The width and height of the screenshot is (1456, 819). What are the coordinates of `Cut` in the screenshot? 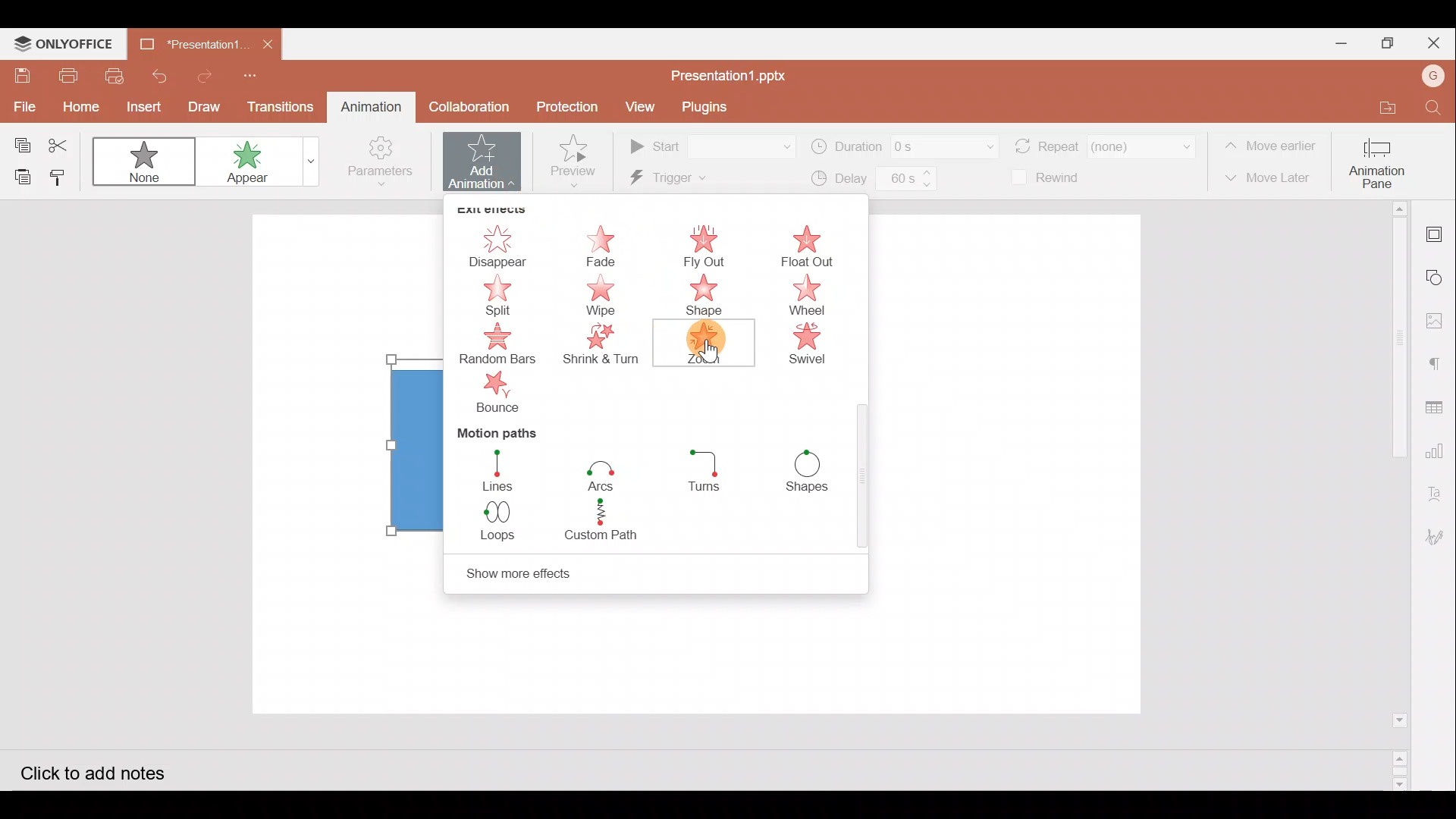 It's located at (64, 143).